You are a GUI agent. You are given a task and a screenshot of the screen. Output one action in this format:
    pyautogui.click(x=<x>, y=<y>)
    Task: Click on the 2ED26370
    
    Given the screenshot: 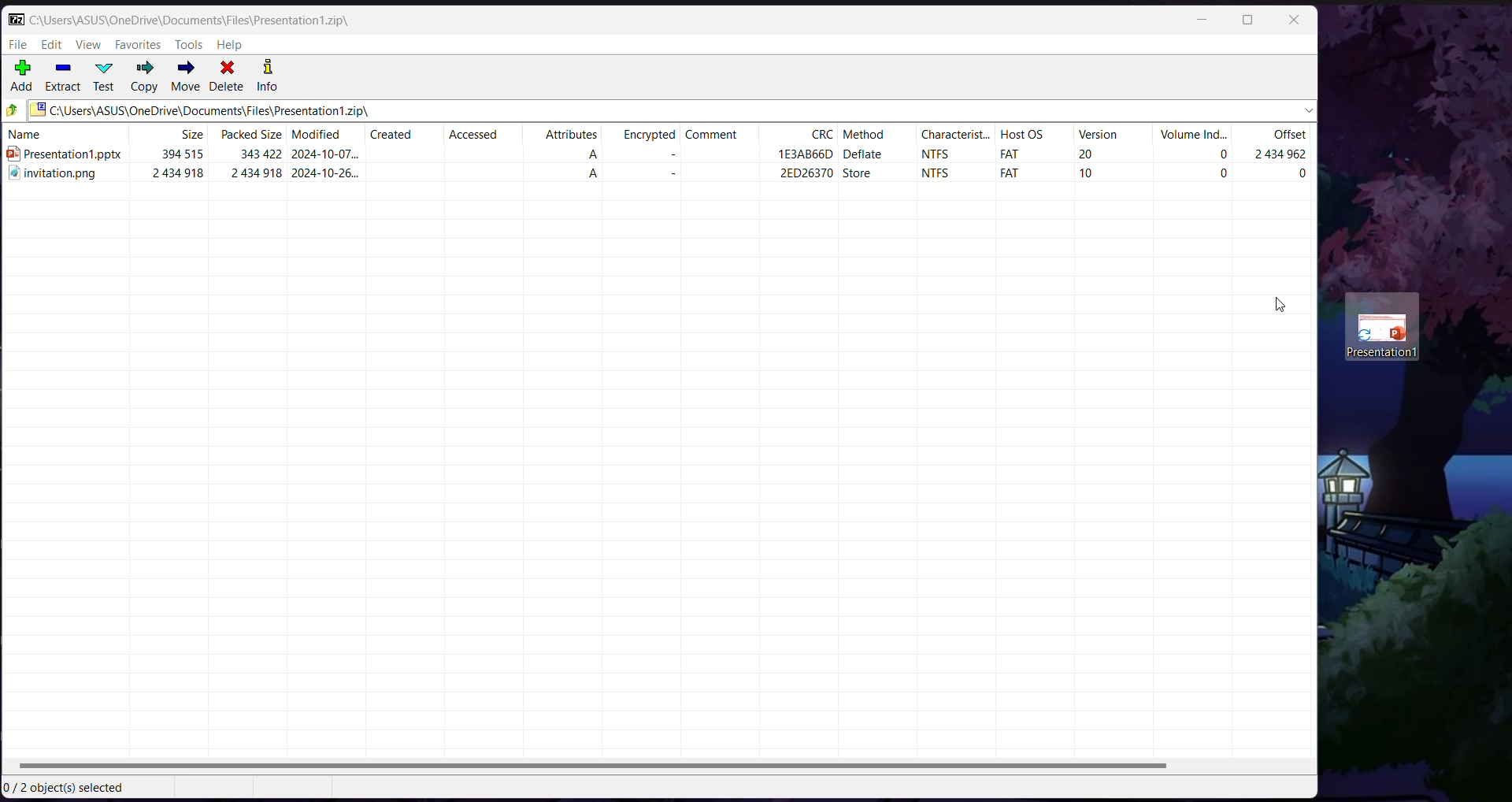 What is the action you would take?
    pyautogui.click(x=788, y=176)
    